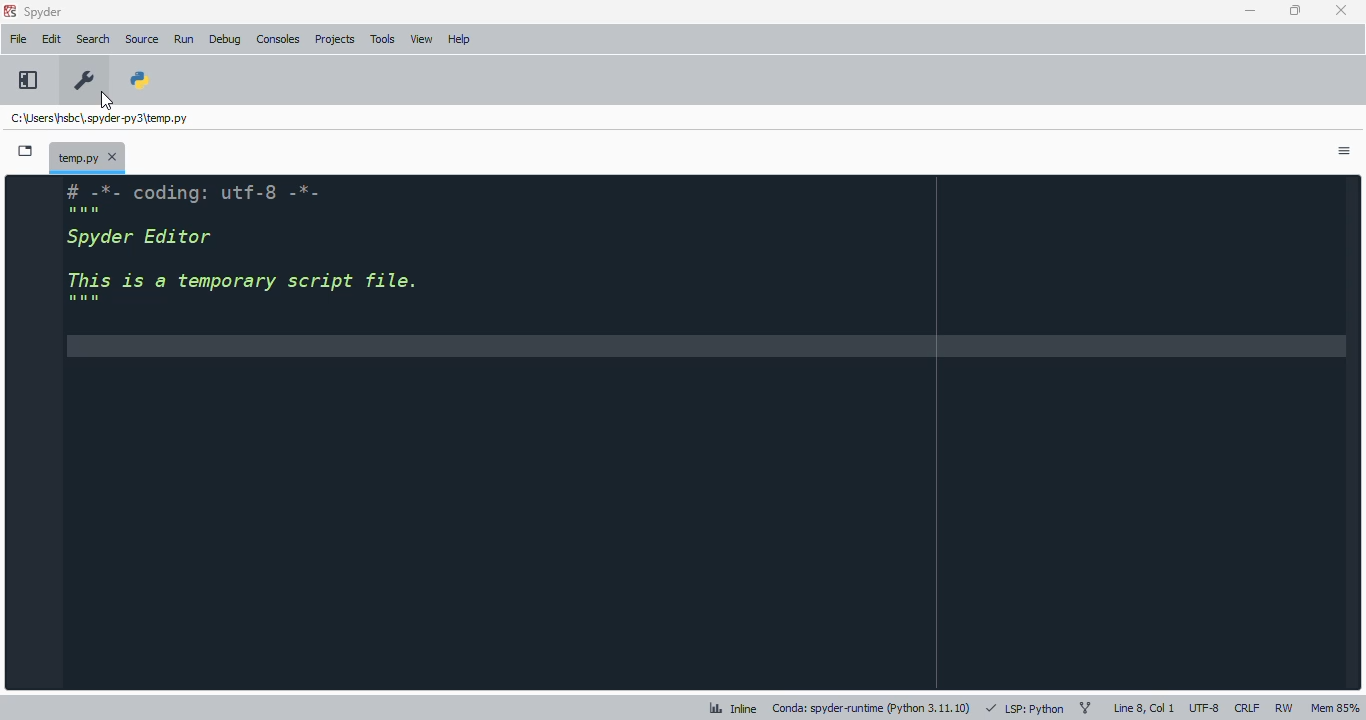 The width and height of the screenshot is (1366, 720). I want to click on PYTHONPATH manager, so click(138, 80).